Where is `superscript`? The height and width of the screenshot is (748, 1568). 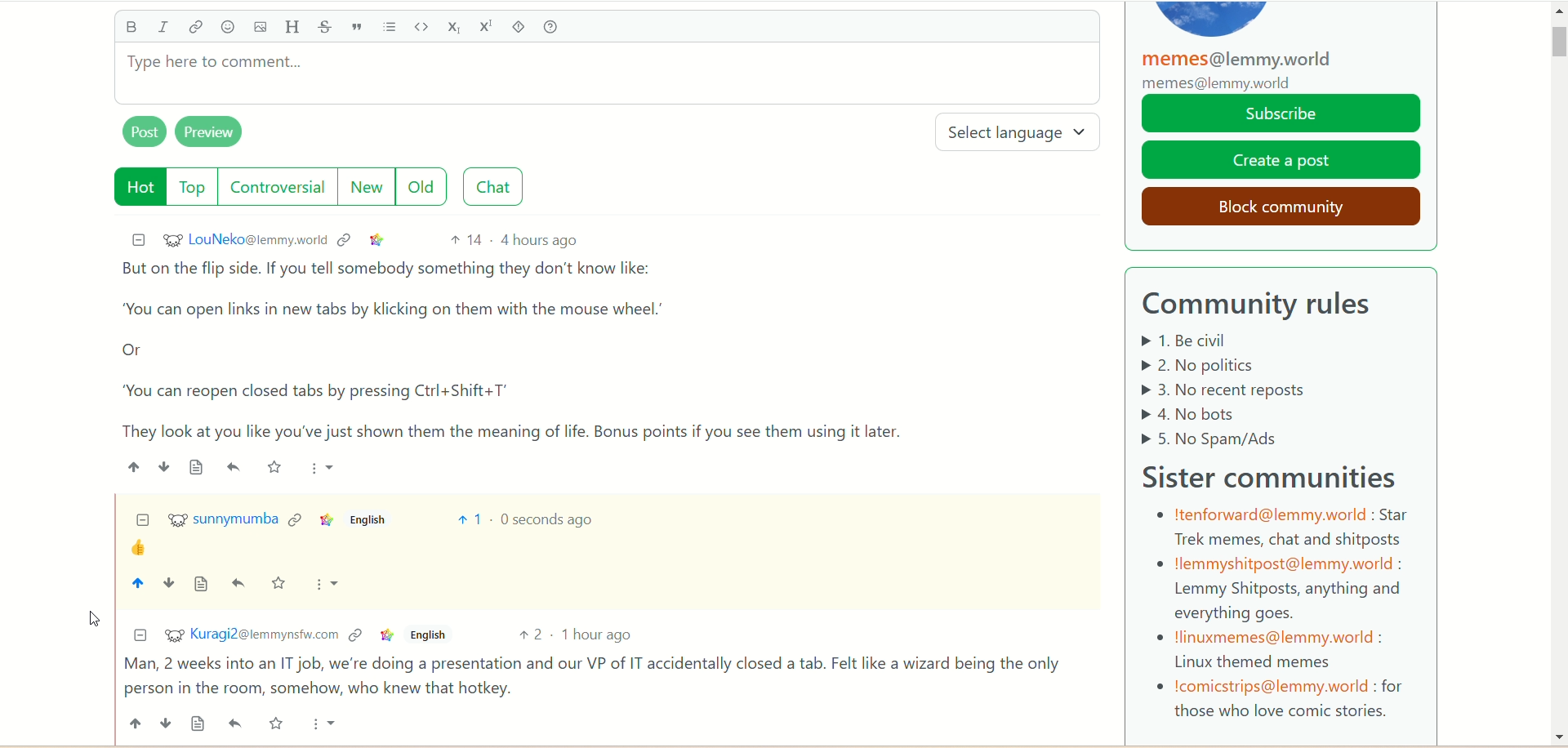 superscript is located at coordinates (487, 24).